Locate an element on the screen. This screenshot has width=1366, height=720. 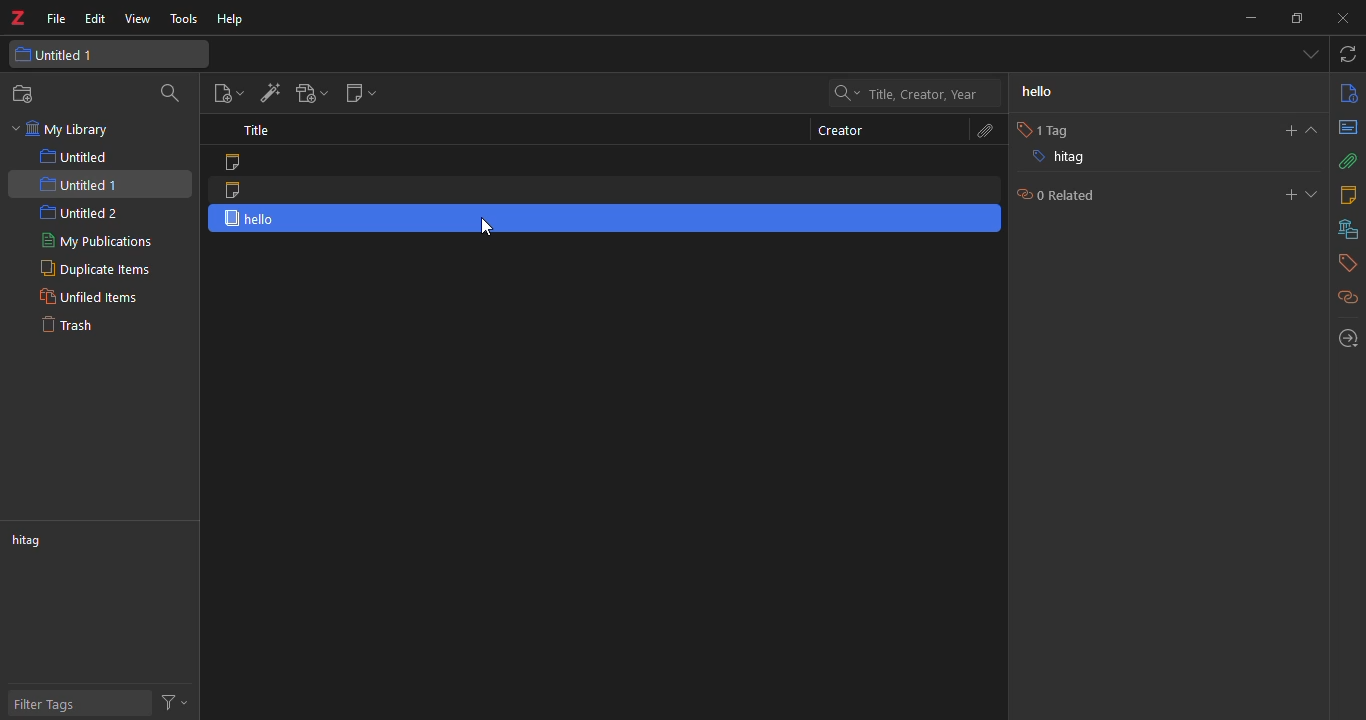
close is located at coordinates (1338, 16).